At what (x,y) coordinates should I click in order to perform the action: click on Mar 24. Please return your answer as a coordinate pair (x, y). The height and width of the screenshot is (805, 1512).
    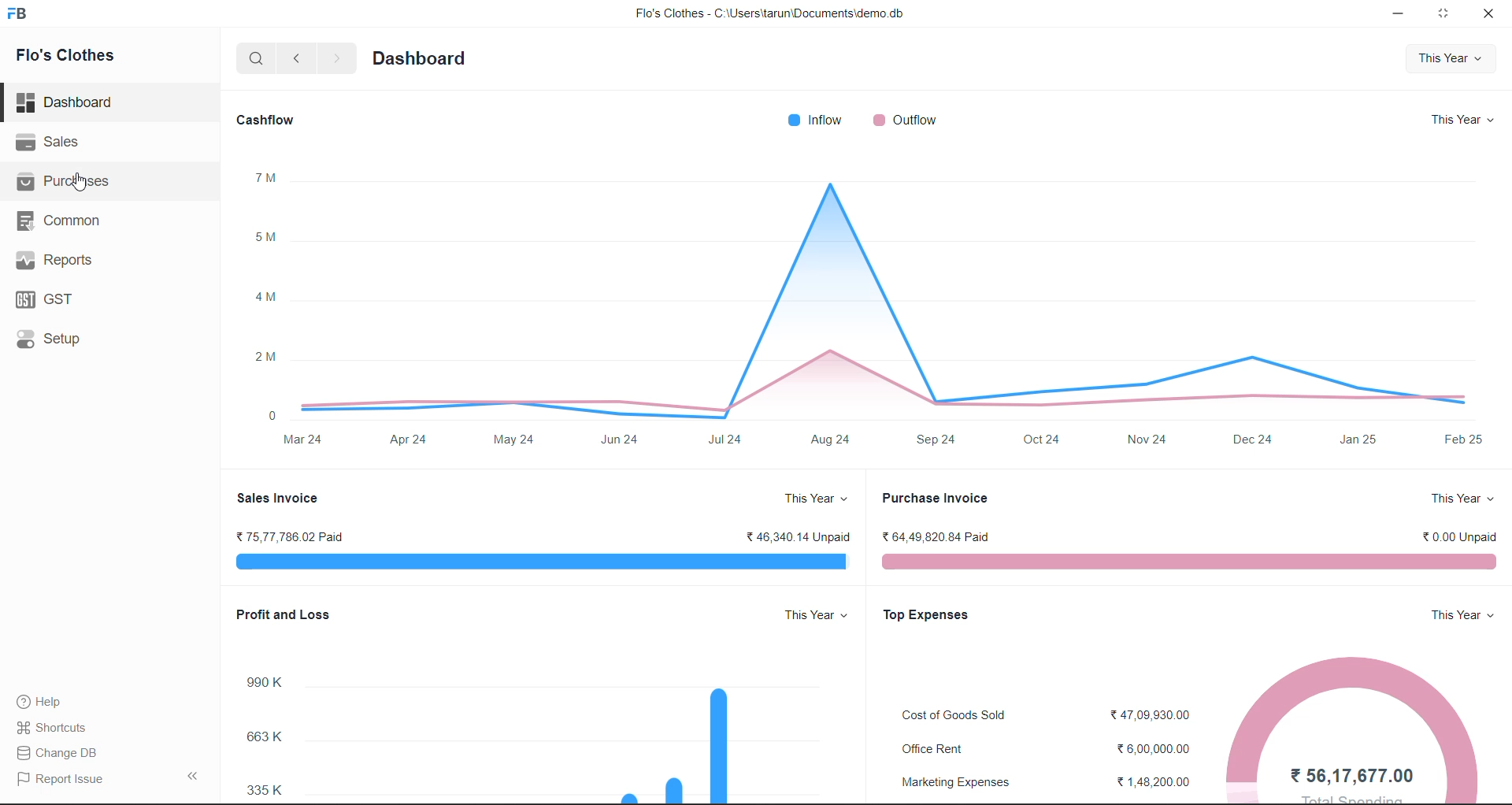
    Looking at the image, I should click on (307, 440).